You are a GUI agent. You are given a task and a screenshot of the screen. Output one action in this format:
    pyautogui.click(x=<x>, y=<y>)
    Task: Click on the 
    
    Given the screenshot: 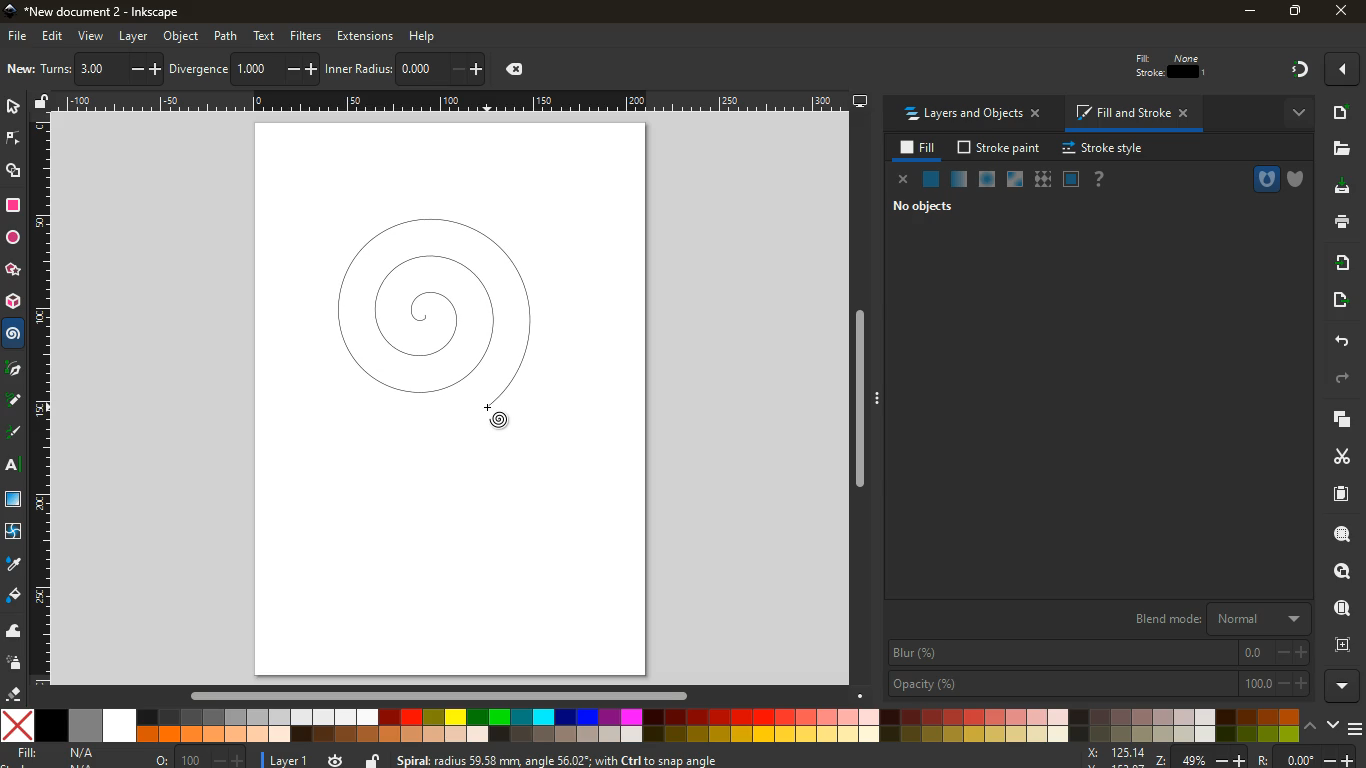 What is the action you would take?
    pyautogui.click(x=866, y=403)
    